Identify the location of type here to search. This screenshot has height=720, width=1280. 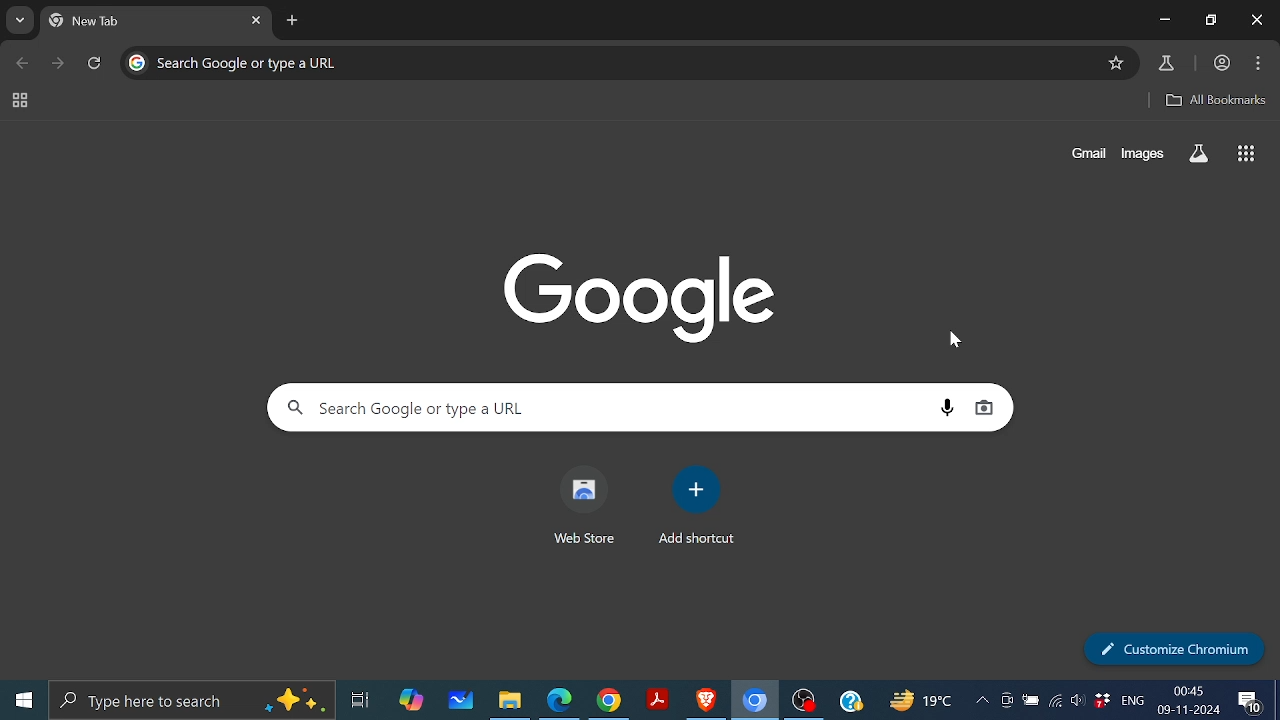
(191, 698).